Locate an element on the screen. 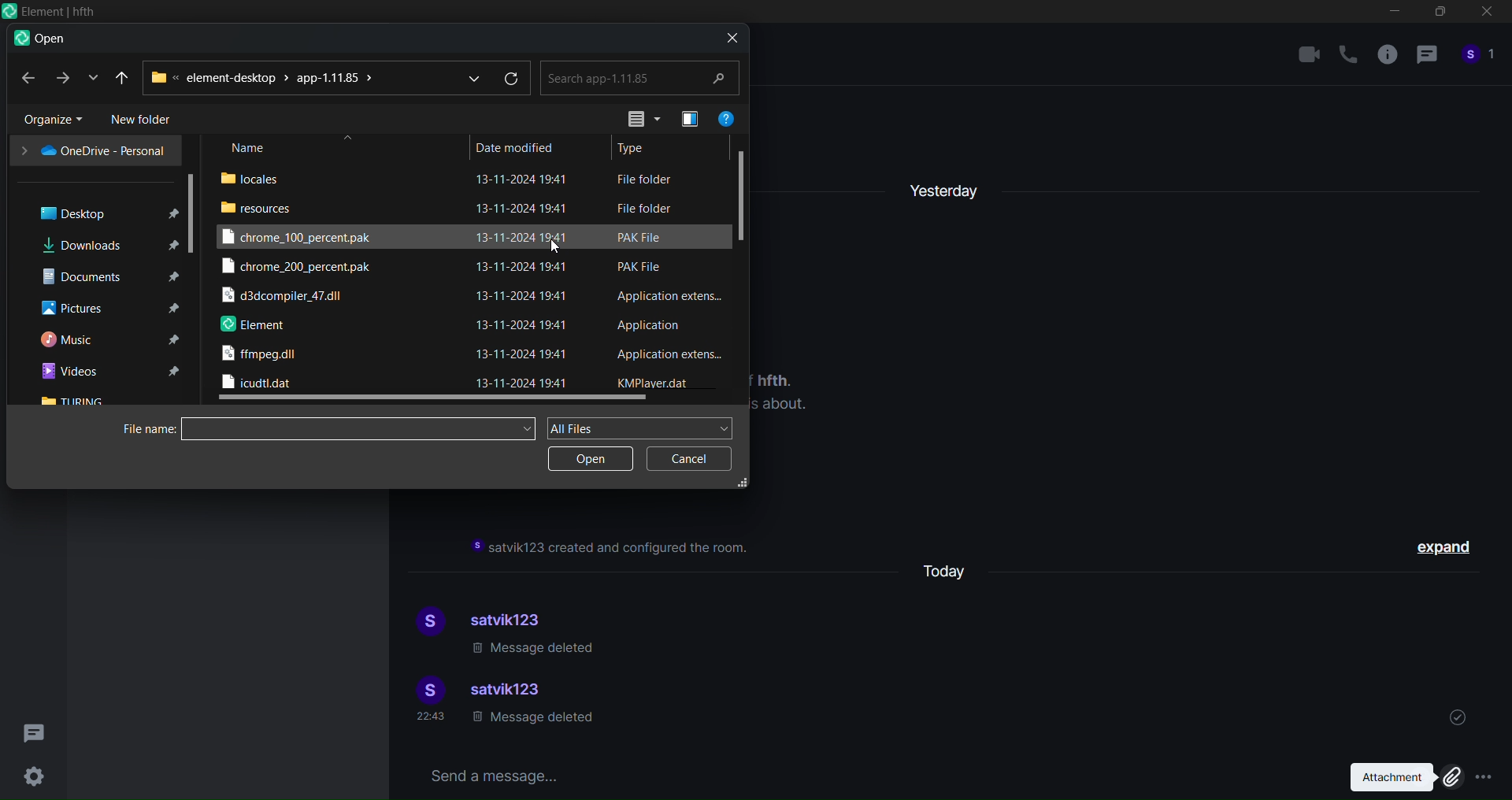  locales is located at coordinates (257, 177).